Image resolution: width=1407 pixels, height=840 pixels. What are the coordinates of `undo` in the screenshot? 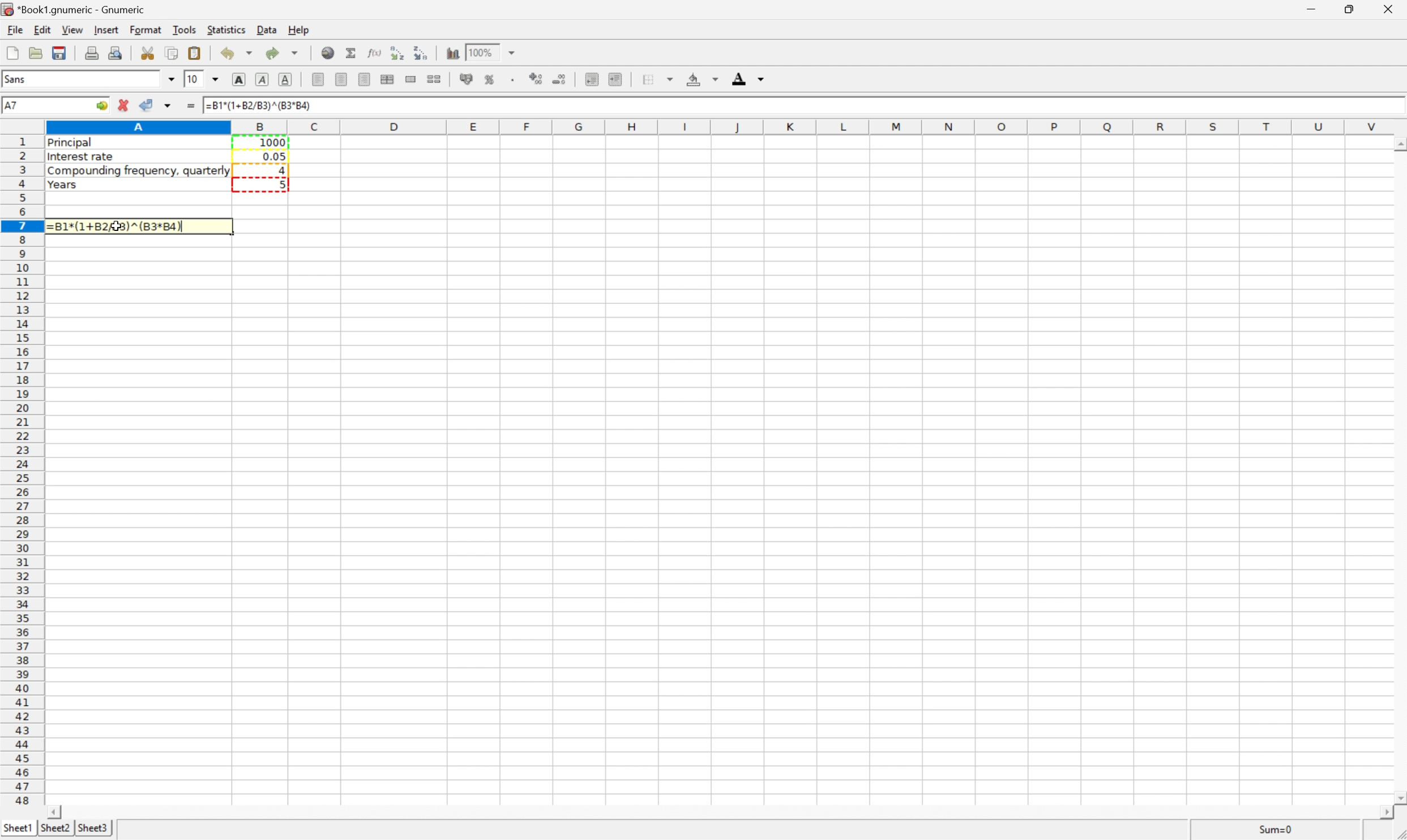 It's located at (236, 53).